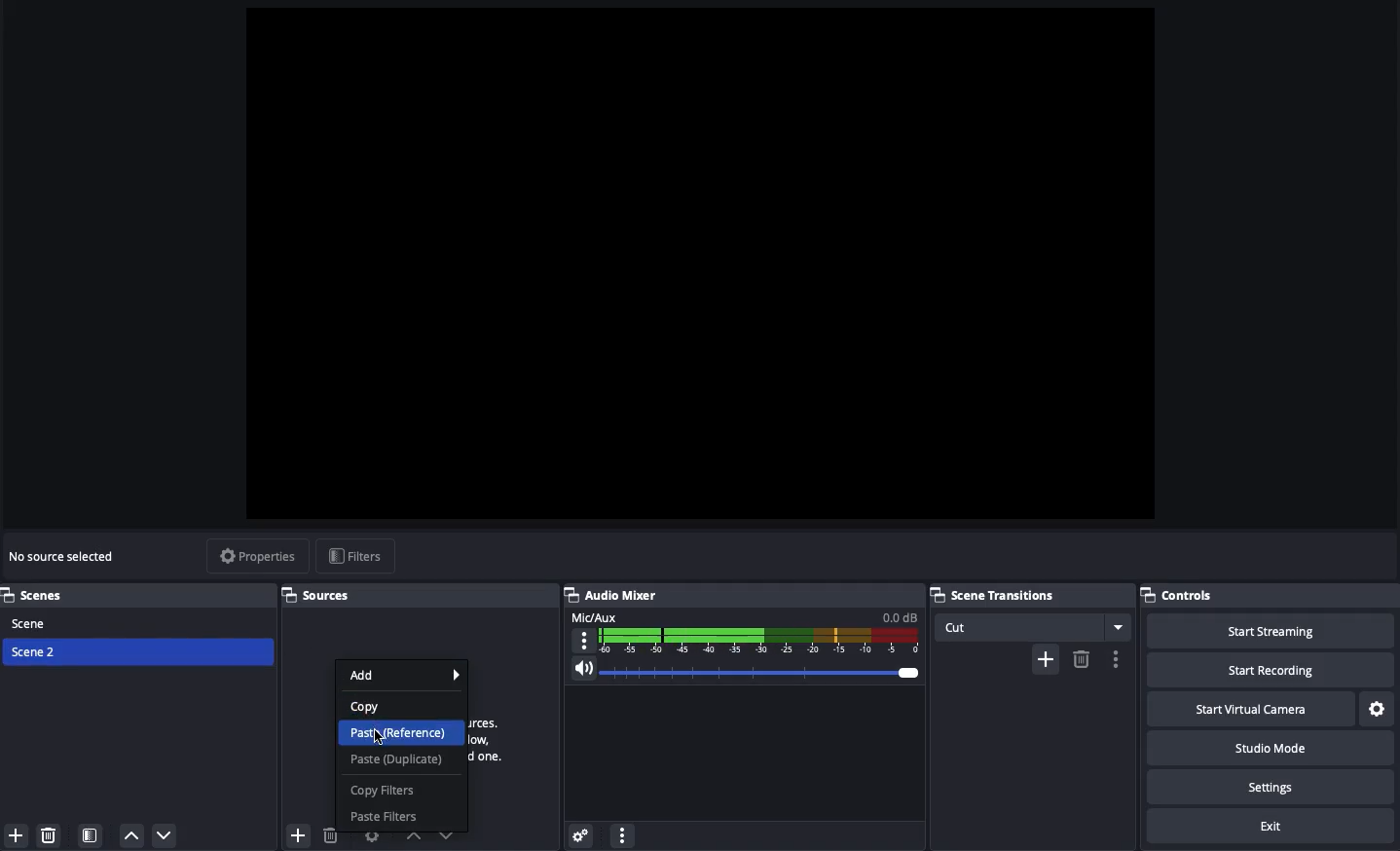 Image resolution: width=1400 pixels, height=851 pixels. What do you see at coordinates (1267, 747) in the screenshot?
I see `Studio mode` at bounding box center [1267, 747].